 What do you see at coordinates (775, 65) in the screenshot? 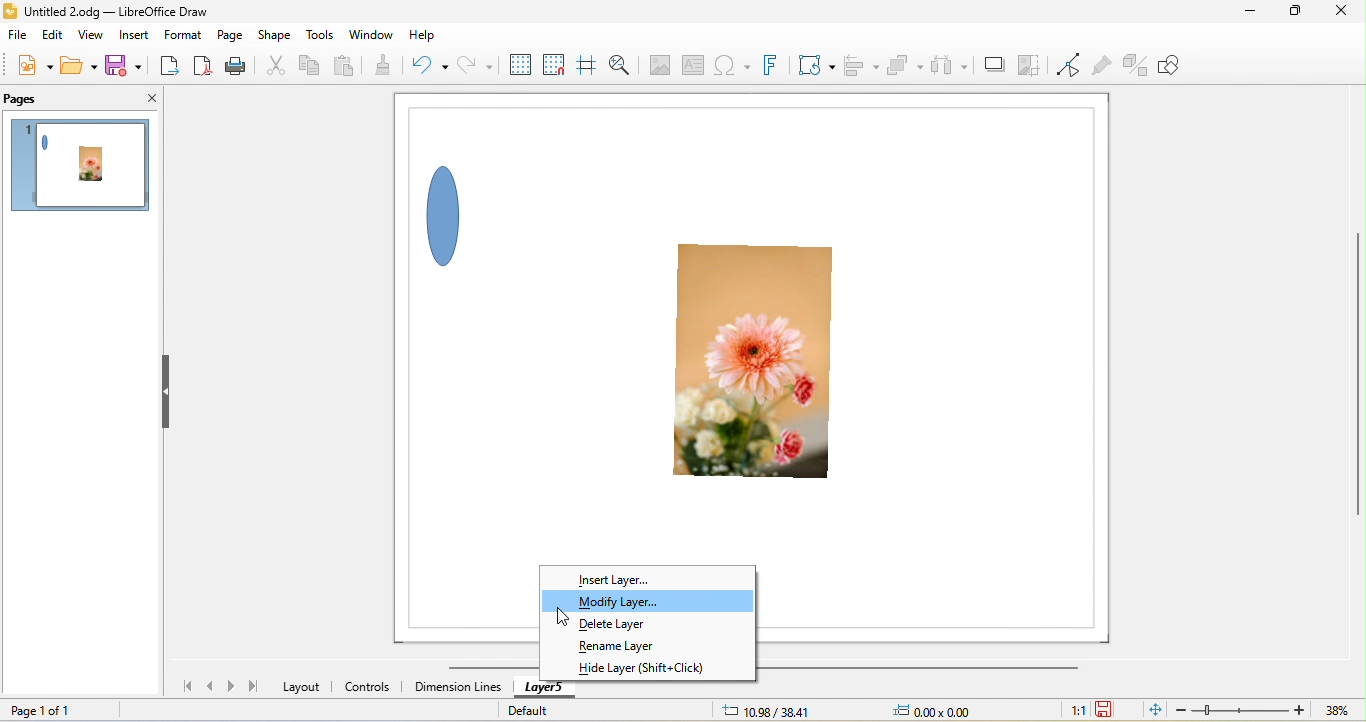
I see `font work text` at bounding box center [775, 65].